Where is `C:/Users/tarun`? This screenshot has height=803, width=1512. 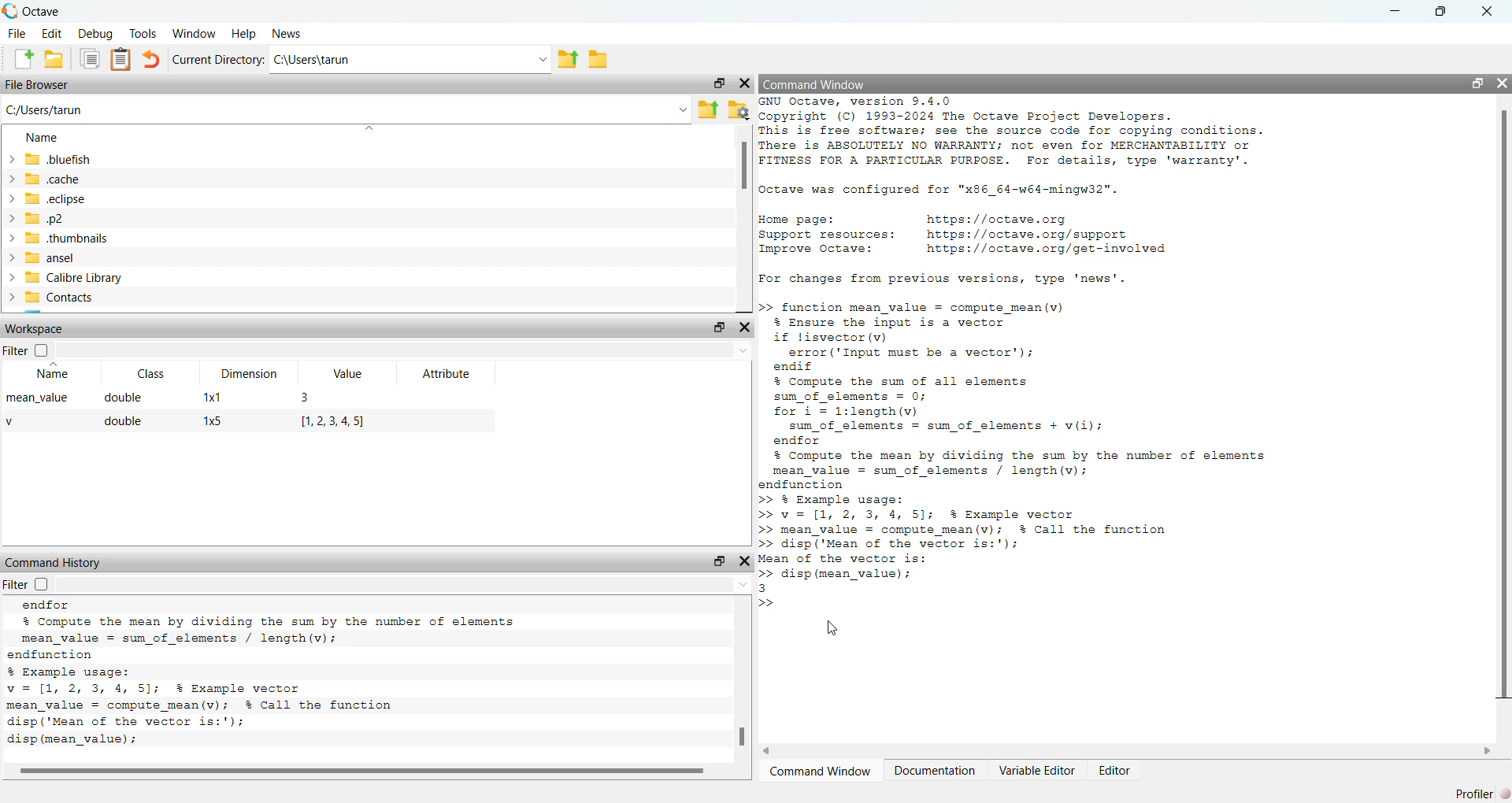
C:/Users/tarun is located at coordinates (46, 110).